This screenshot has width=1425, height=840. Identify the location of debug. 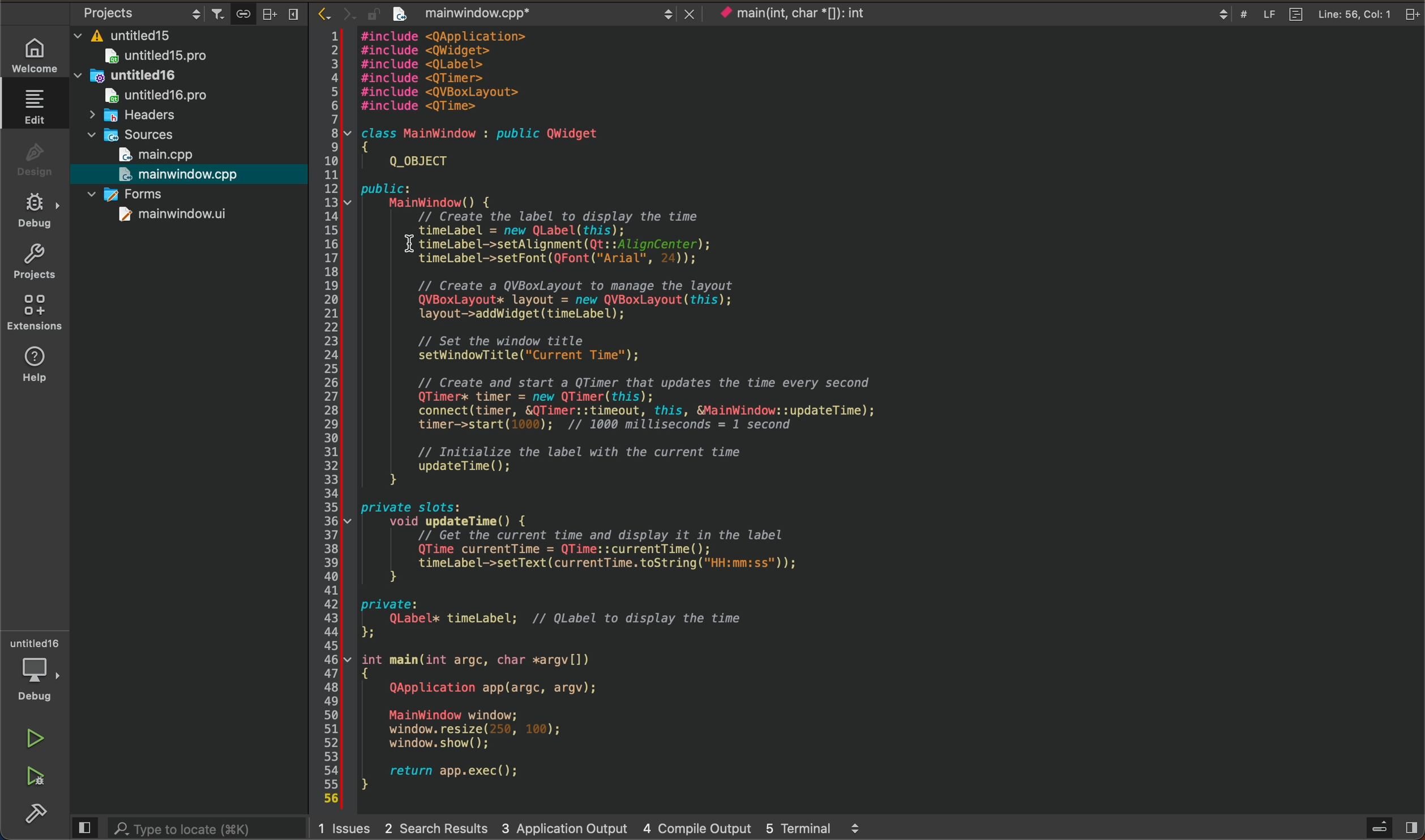
(32, 209).